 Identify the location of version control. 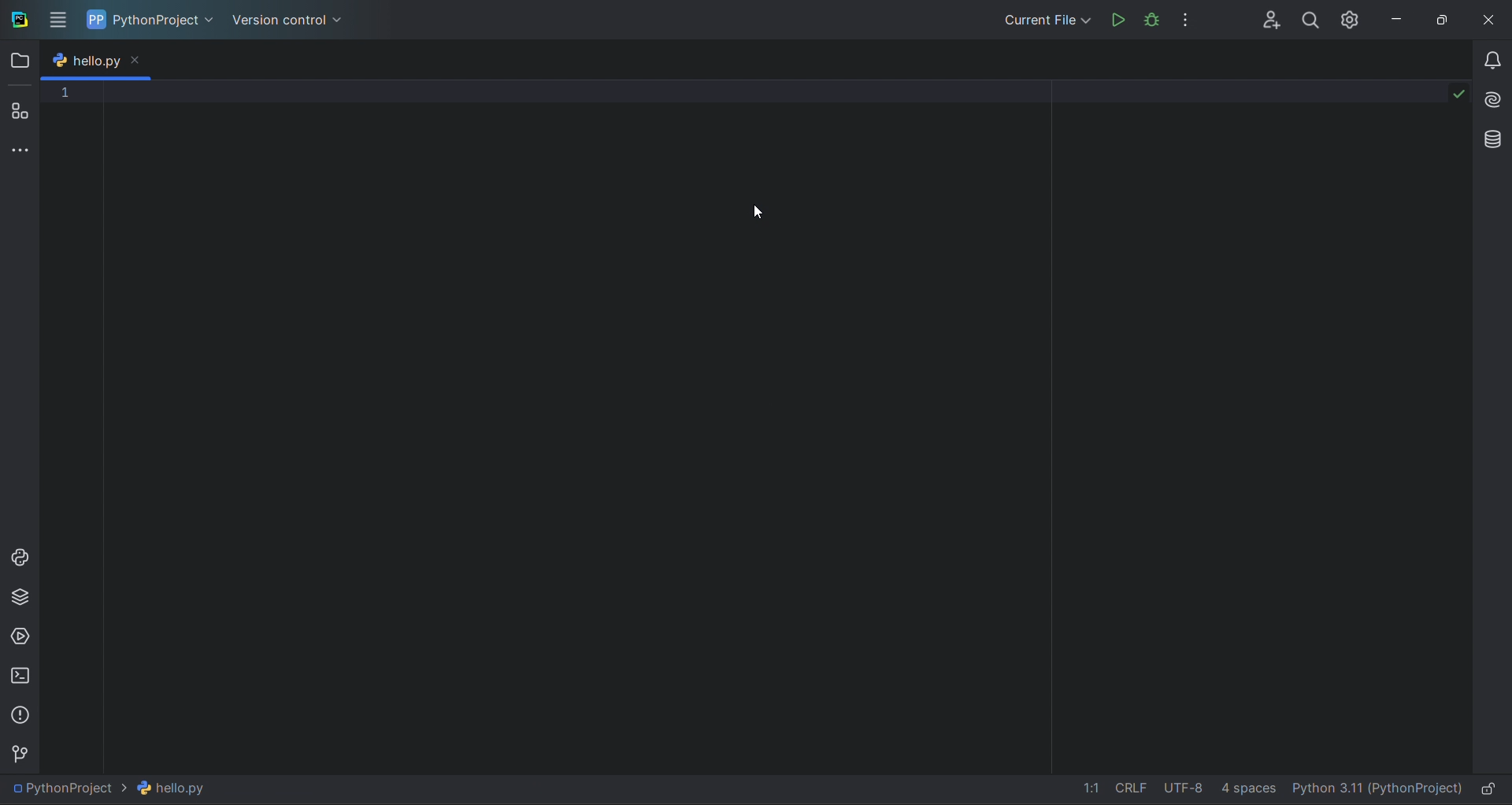
(291, 20).